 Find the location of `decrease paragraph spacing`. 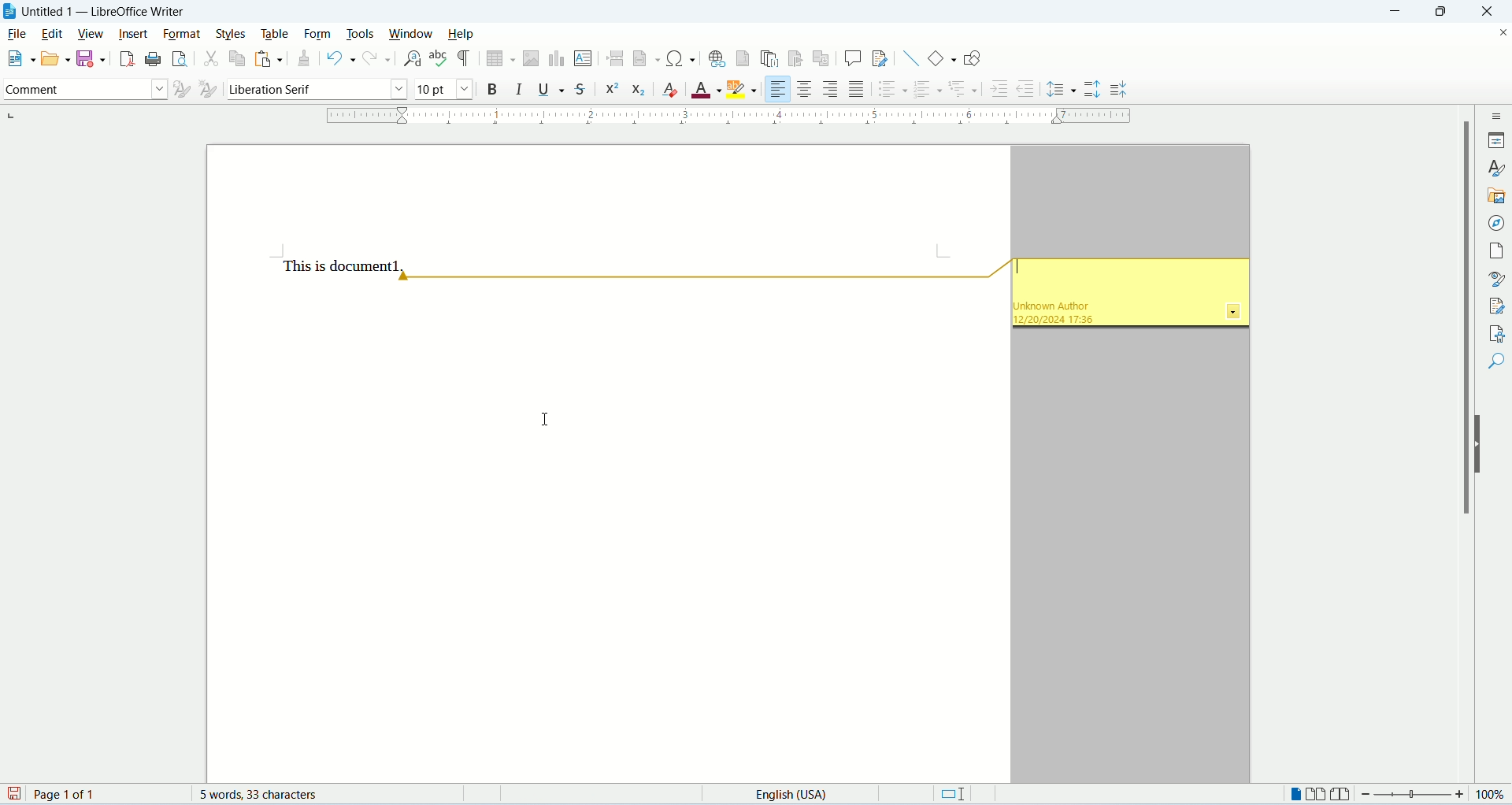

decrease paragraph spacing is located at coordinates (1118, 91).